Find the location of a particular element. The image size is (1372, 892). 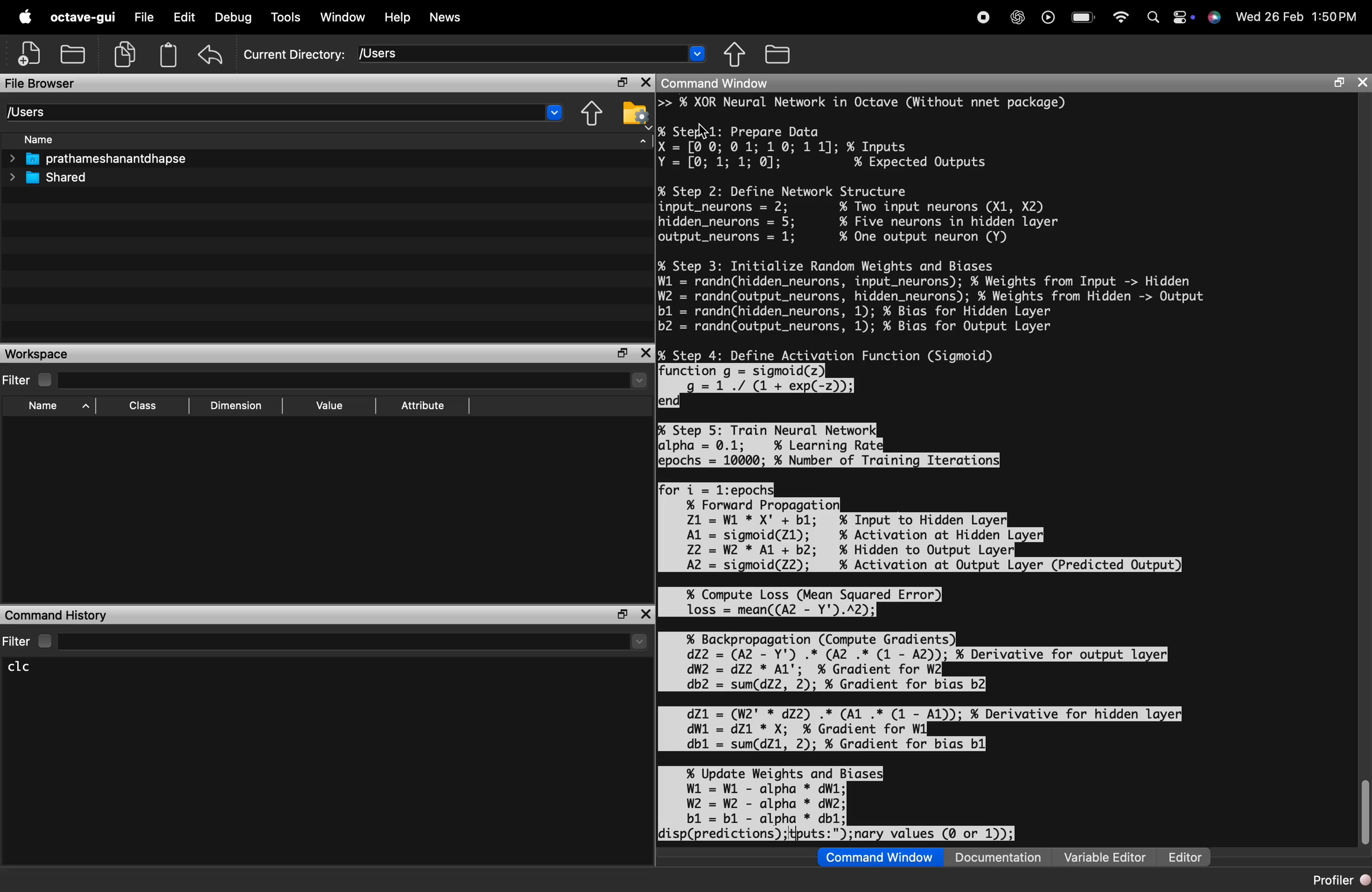

Command Window is located at coordinates (717, 83).